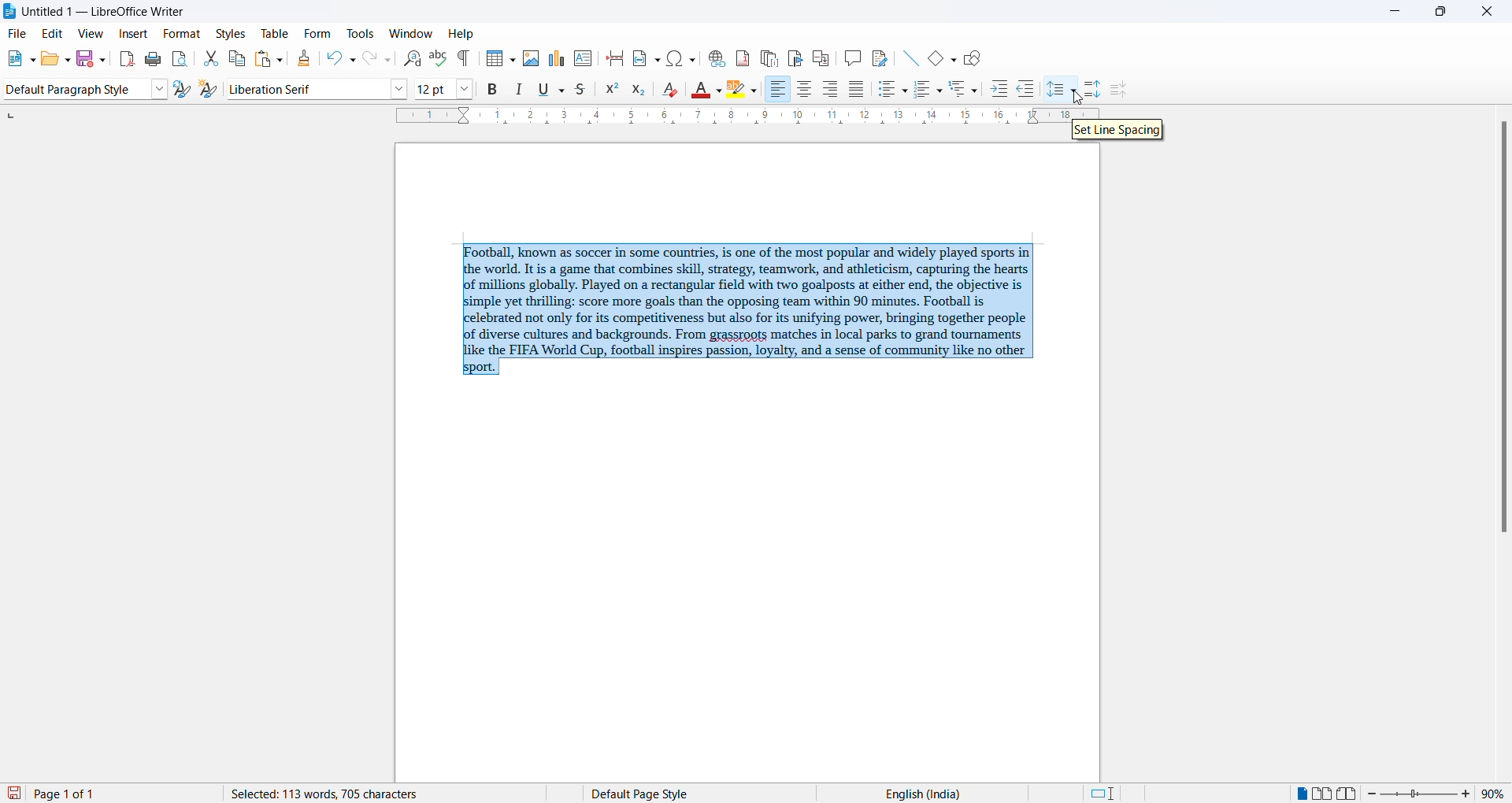 This screenshot has height=803, width=1512. I want to click on outline format , so click(955, 91).